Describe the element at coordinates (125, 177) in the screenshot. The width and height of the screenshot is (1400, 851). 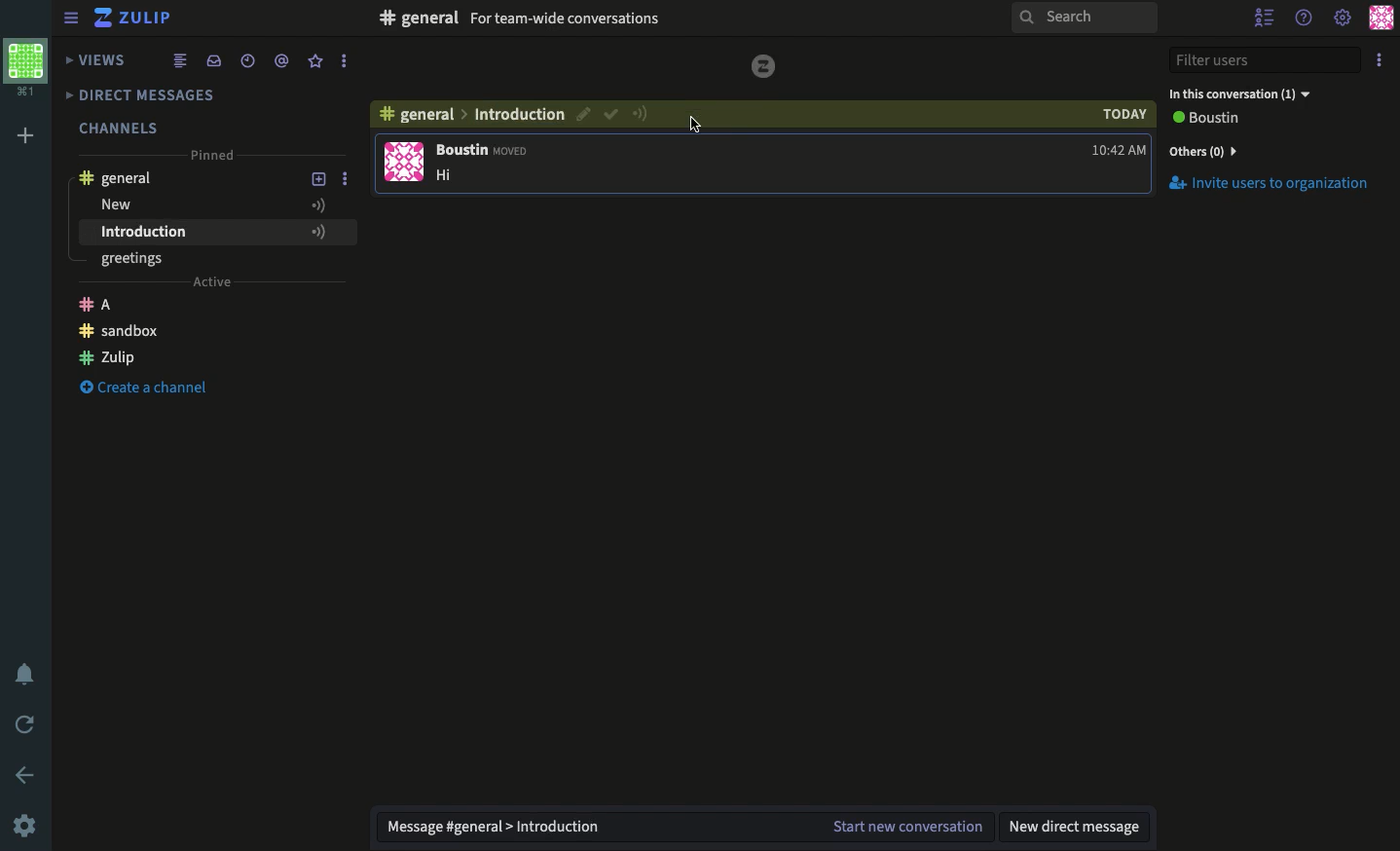
I see `General` at that location.